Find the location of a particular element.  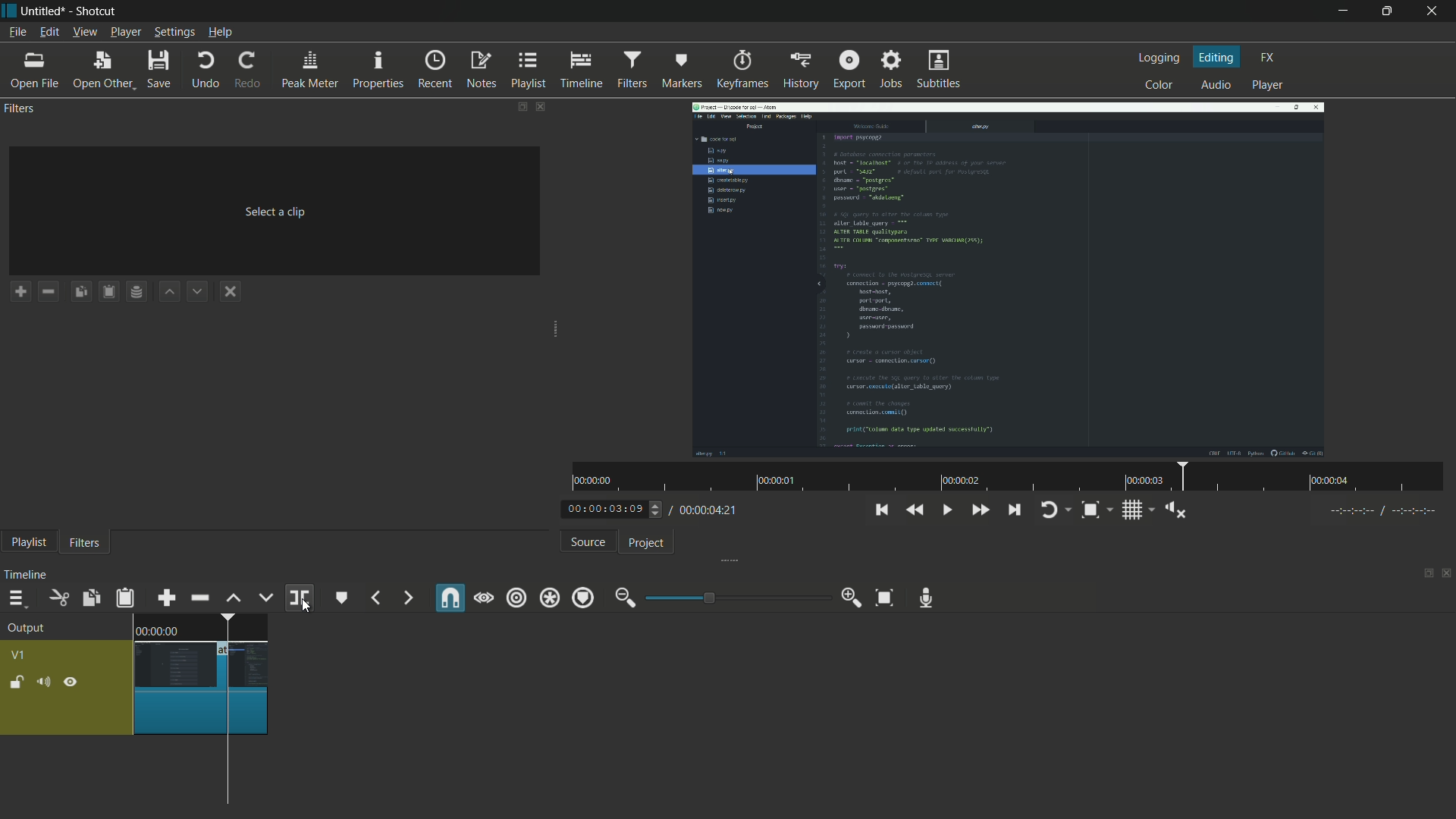

add a filter is located at coordinates (21, 293).